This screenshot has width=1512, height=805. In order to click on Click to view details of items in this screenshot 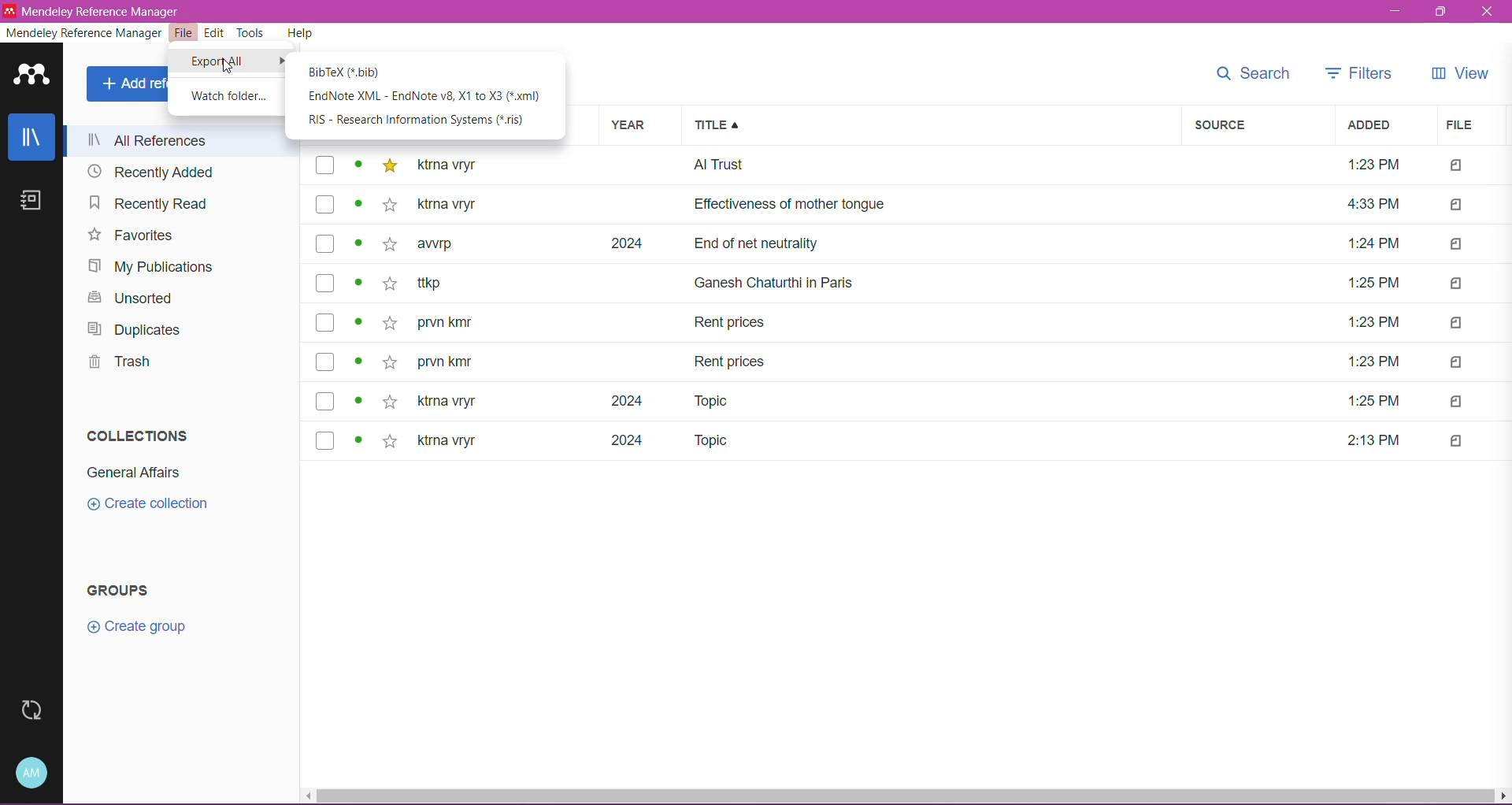, I will do `click(360, 303)`.